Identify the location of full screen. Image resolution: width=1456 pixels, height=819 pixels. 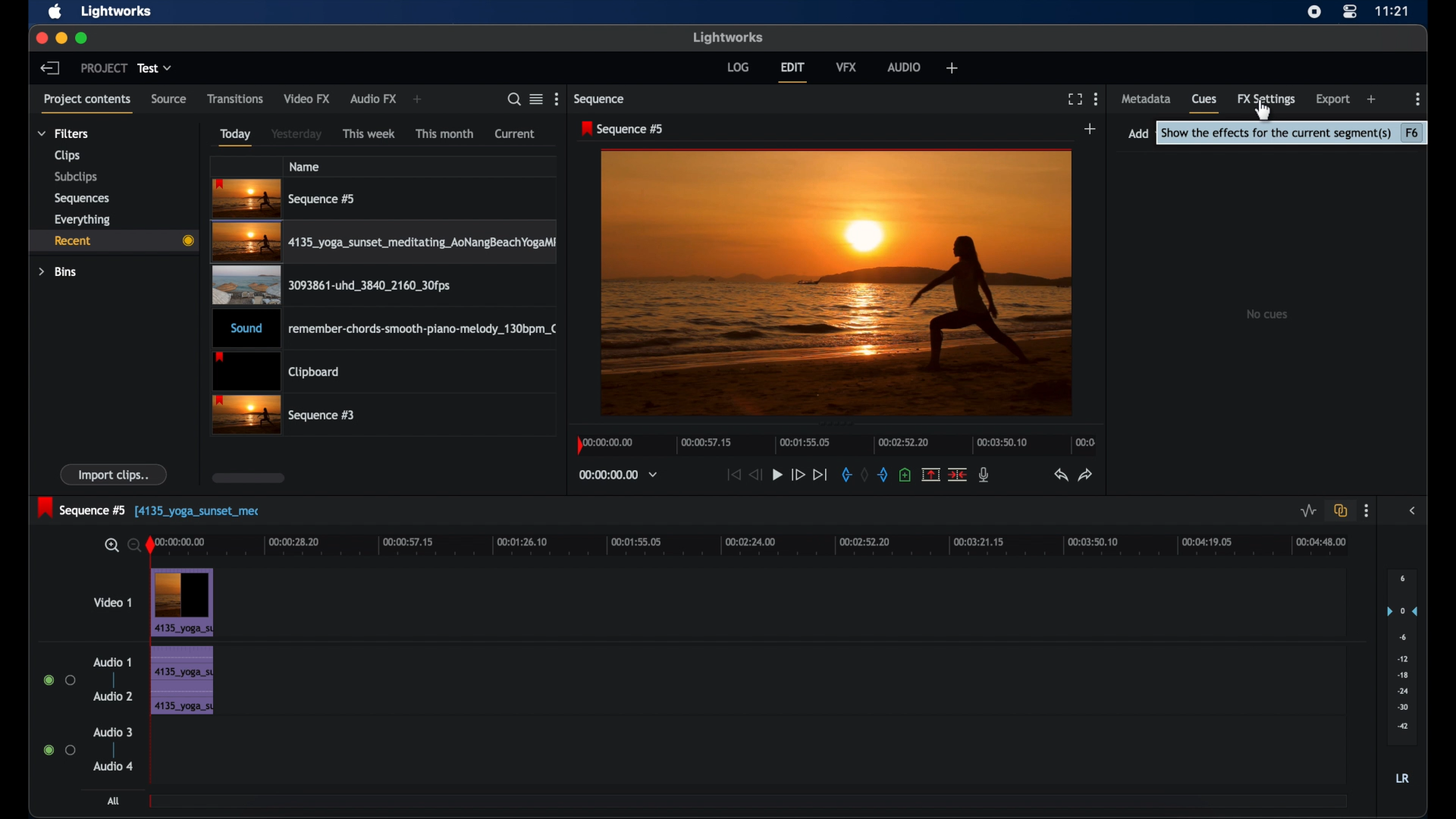
(1075, 99).